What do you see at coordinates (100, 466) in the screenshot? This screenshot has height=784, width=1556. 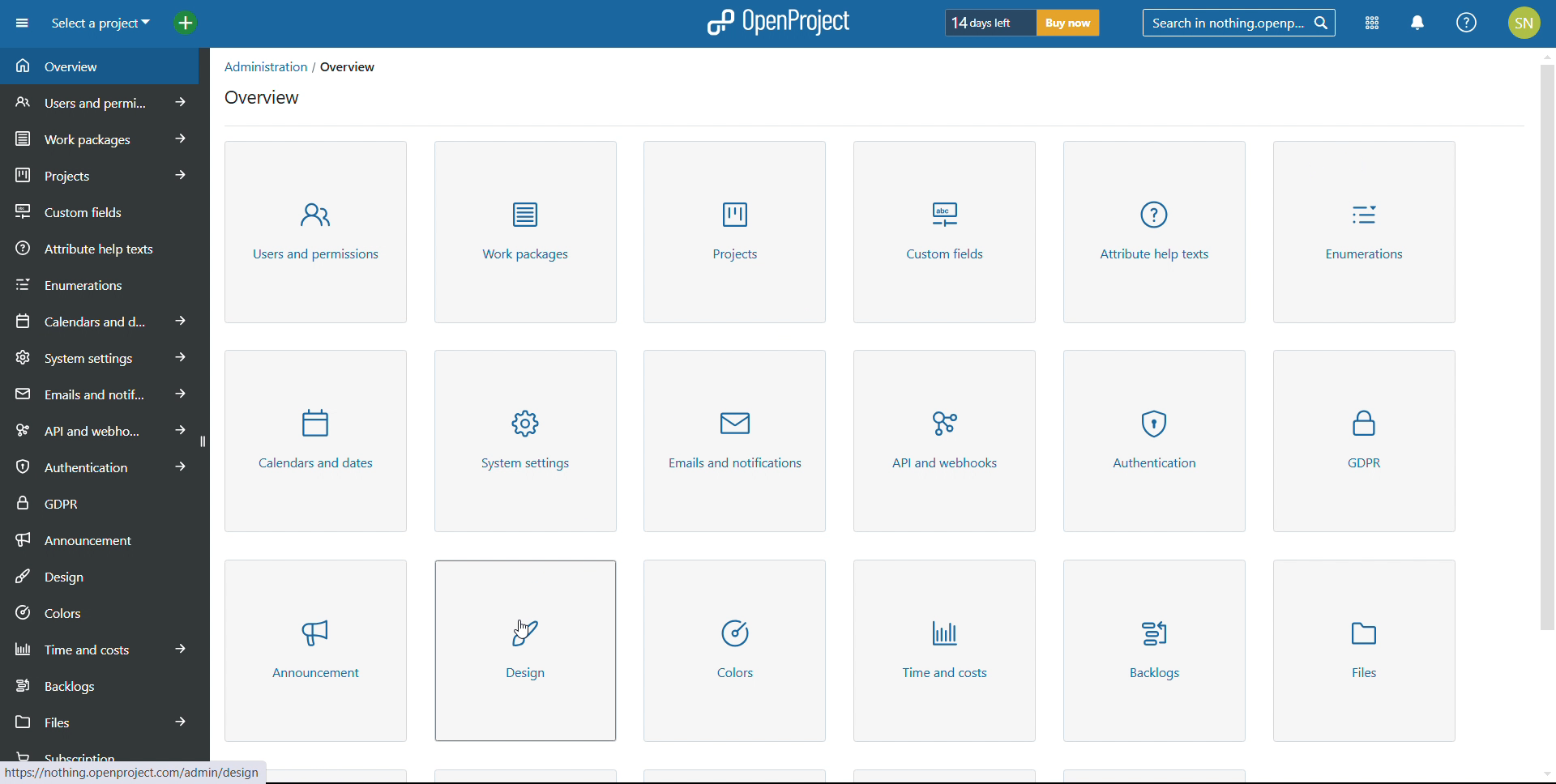 I see `authentication` at bounding box center [100, 466].